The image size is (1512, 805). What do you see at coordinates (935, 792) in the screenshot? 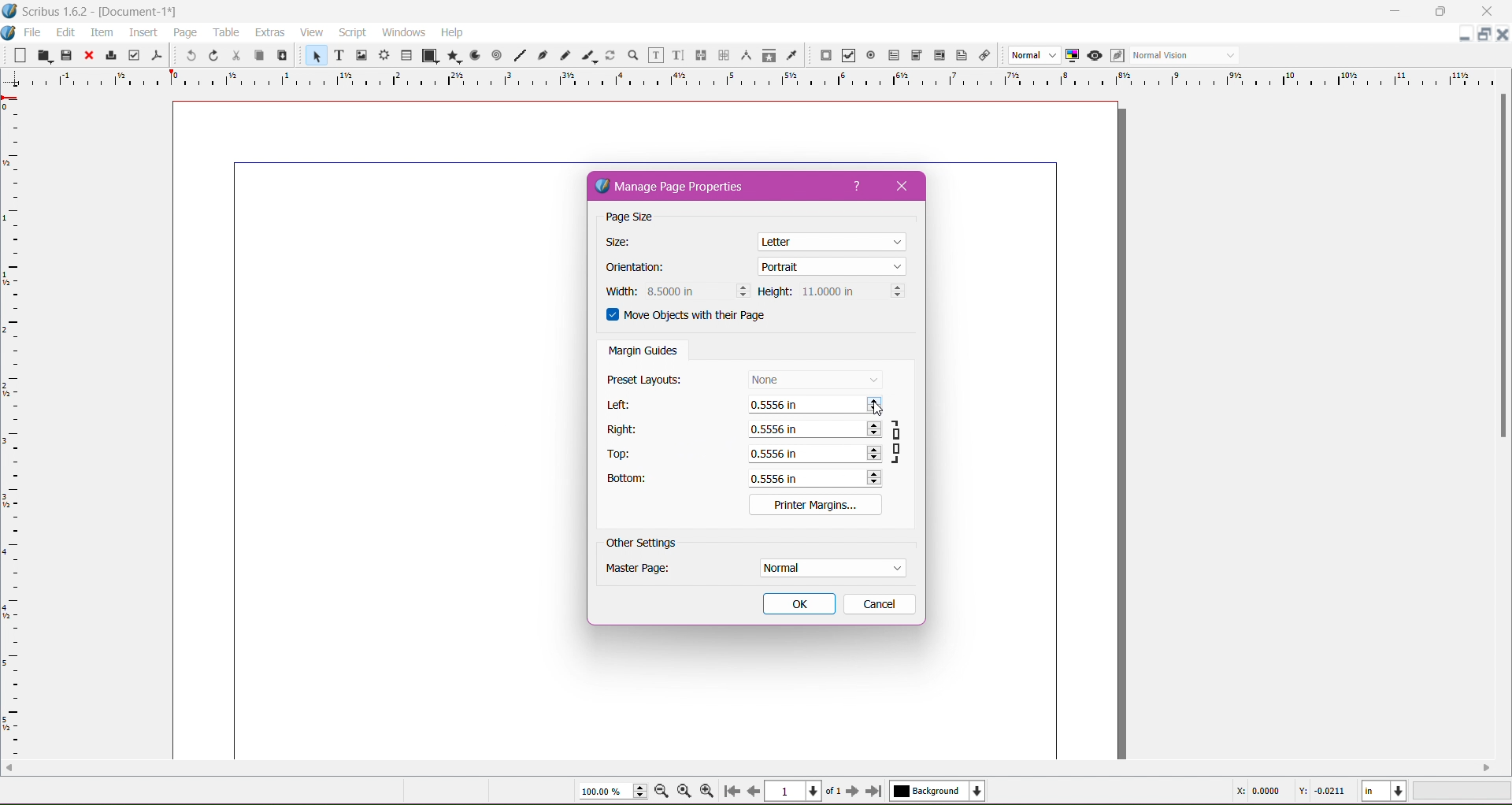
I see `Select the current layer` at bounding box center [935, 792].